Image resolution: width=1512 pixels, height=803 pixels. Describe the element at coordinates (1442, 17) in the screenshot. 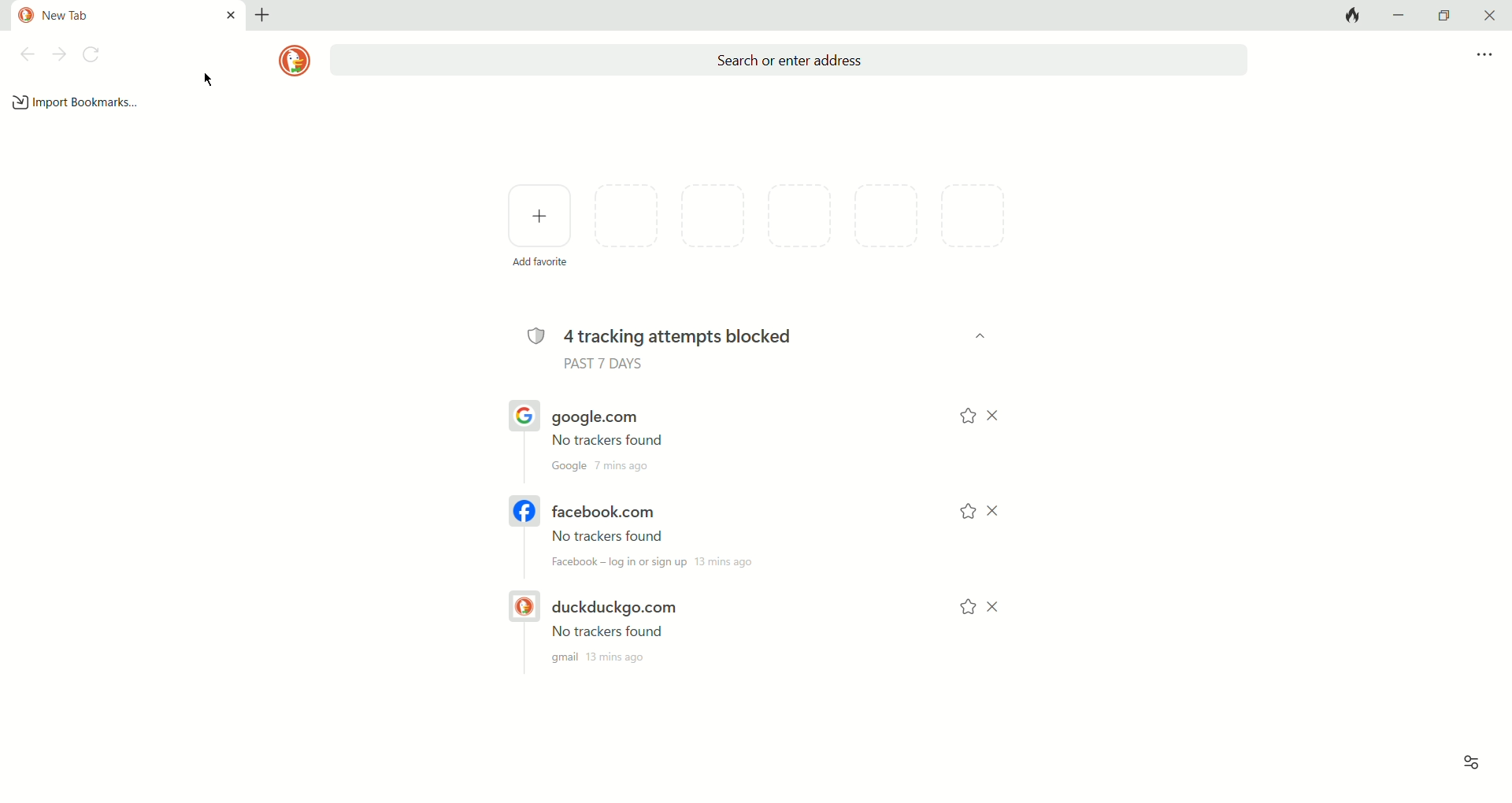

I see `maximize` at that location.